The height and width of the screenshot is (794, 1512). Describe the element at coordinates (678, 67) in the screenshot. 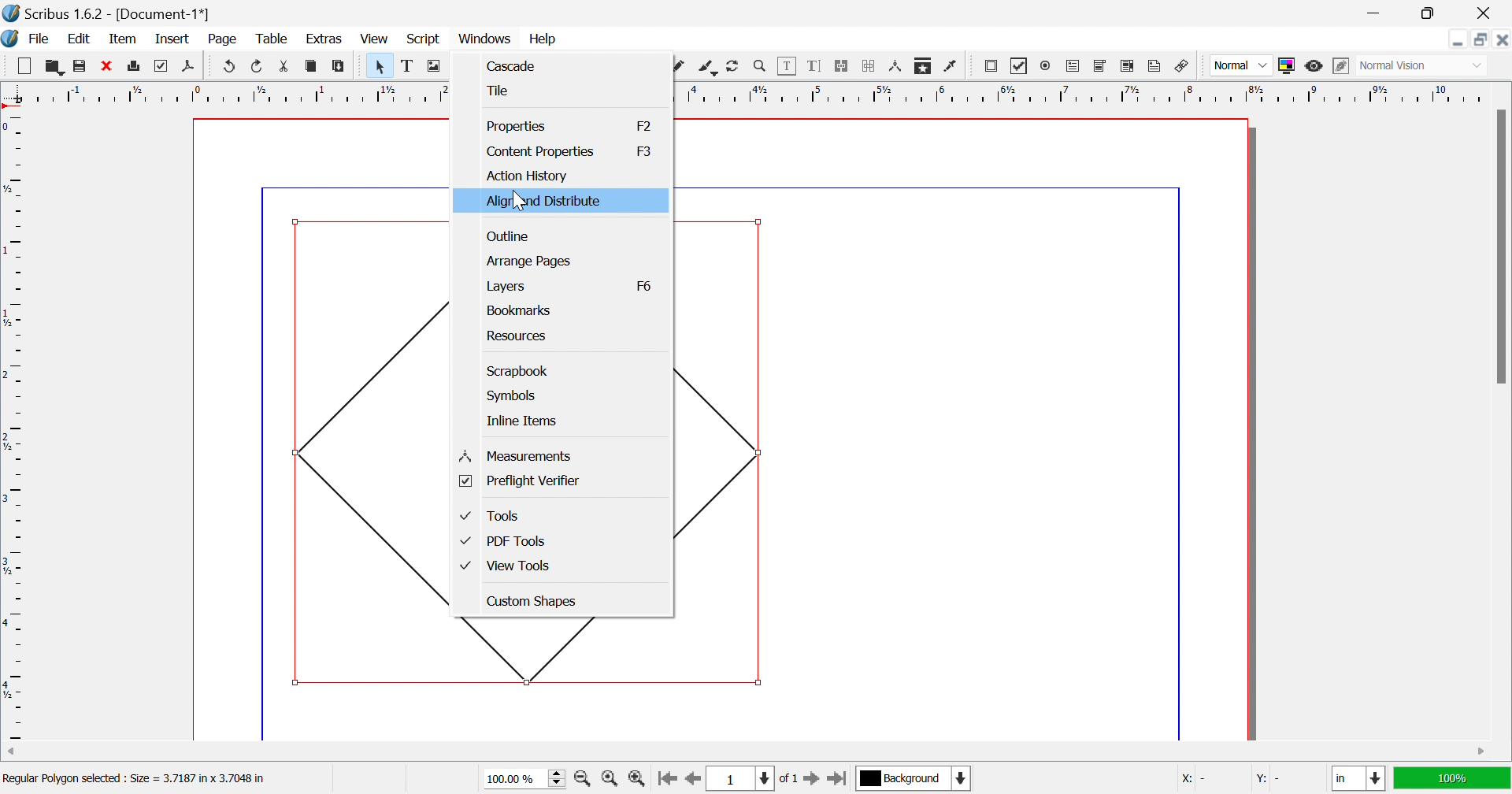

I see `Freehand line` at that location.